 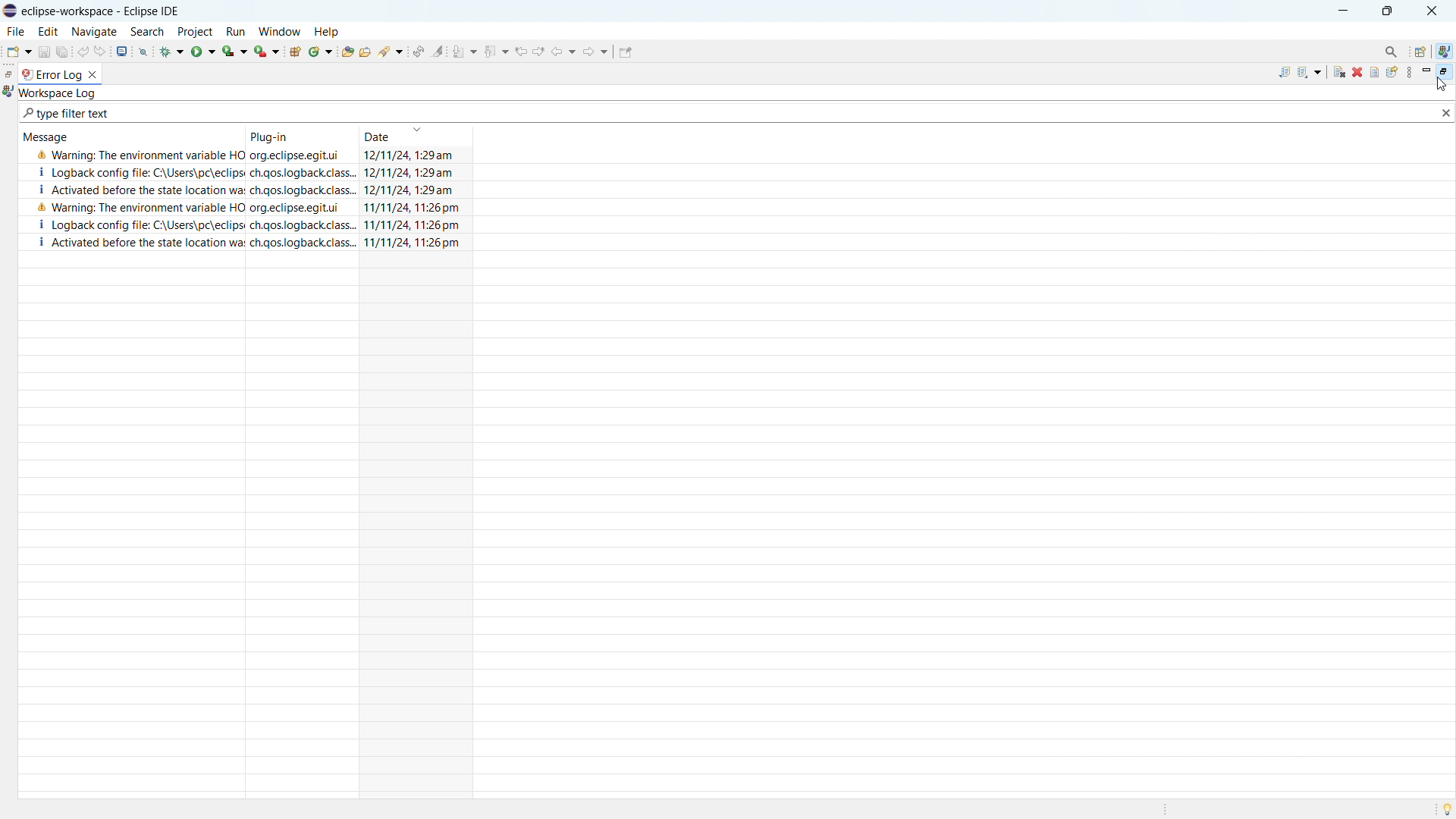 What do you see at coordinates (414, 190) in the screenshot?
I see `12/11/24, 1:29am` at bounding box center [414, 190].